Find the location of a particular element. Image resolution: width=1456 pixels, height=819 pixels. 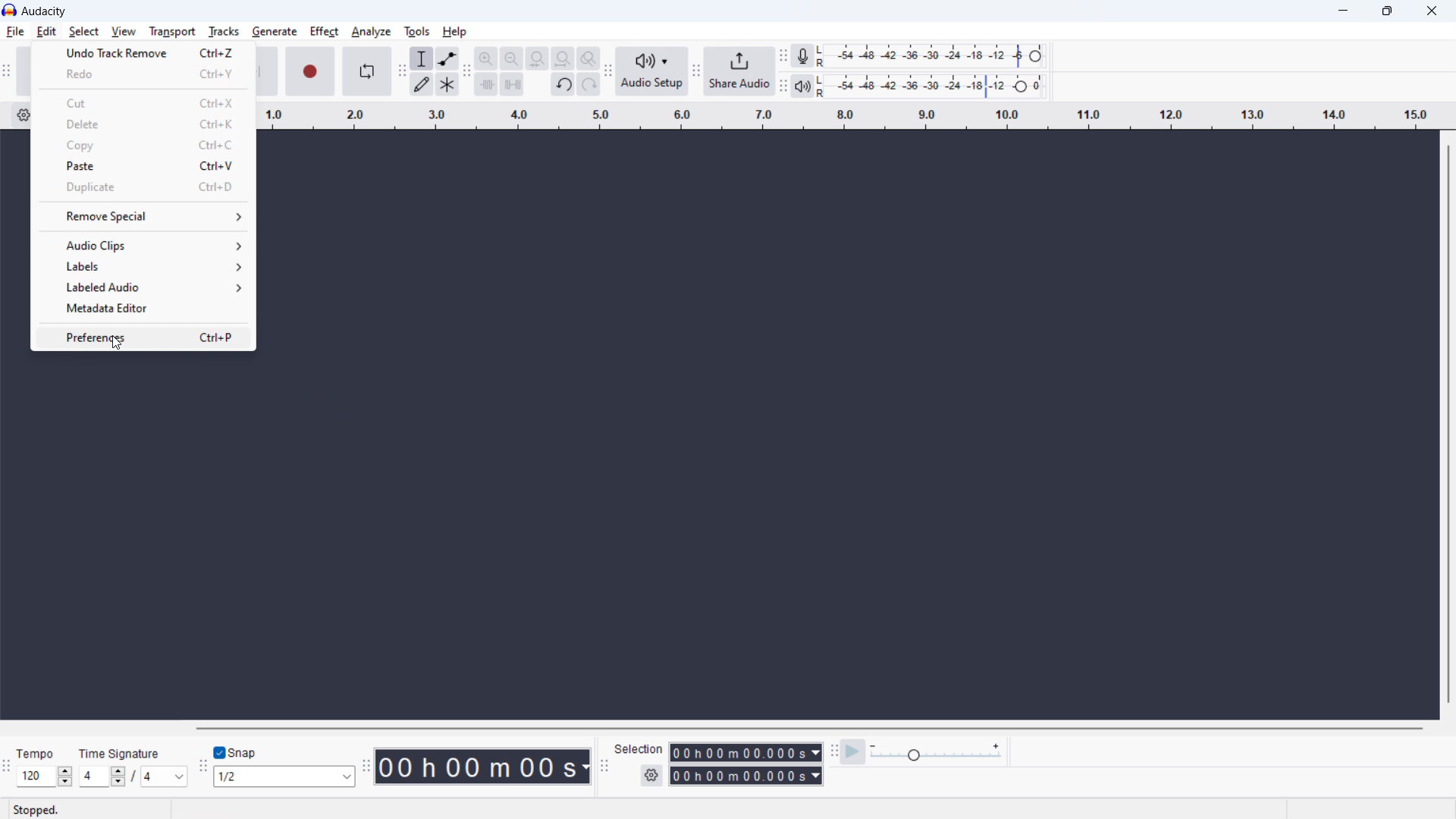

paste is located at coordinates (143, 166).